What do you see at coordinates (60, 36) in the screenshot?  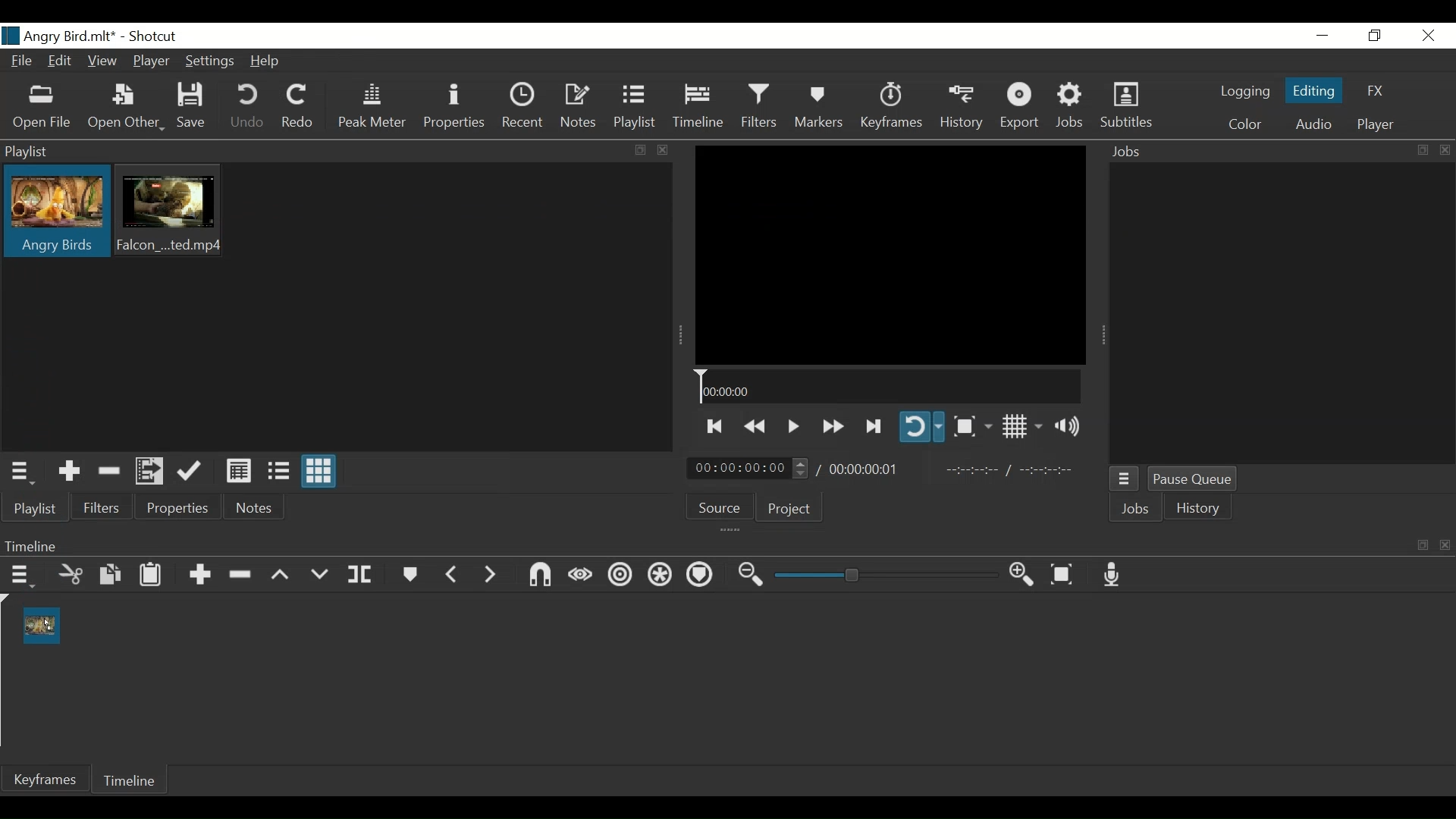 I see `File Name` at bounding box center [60, 36].